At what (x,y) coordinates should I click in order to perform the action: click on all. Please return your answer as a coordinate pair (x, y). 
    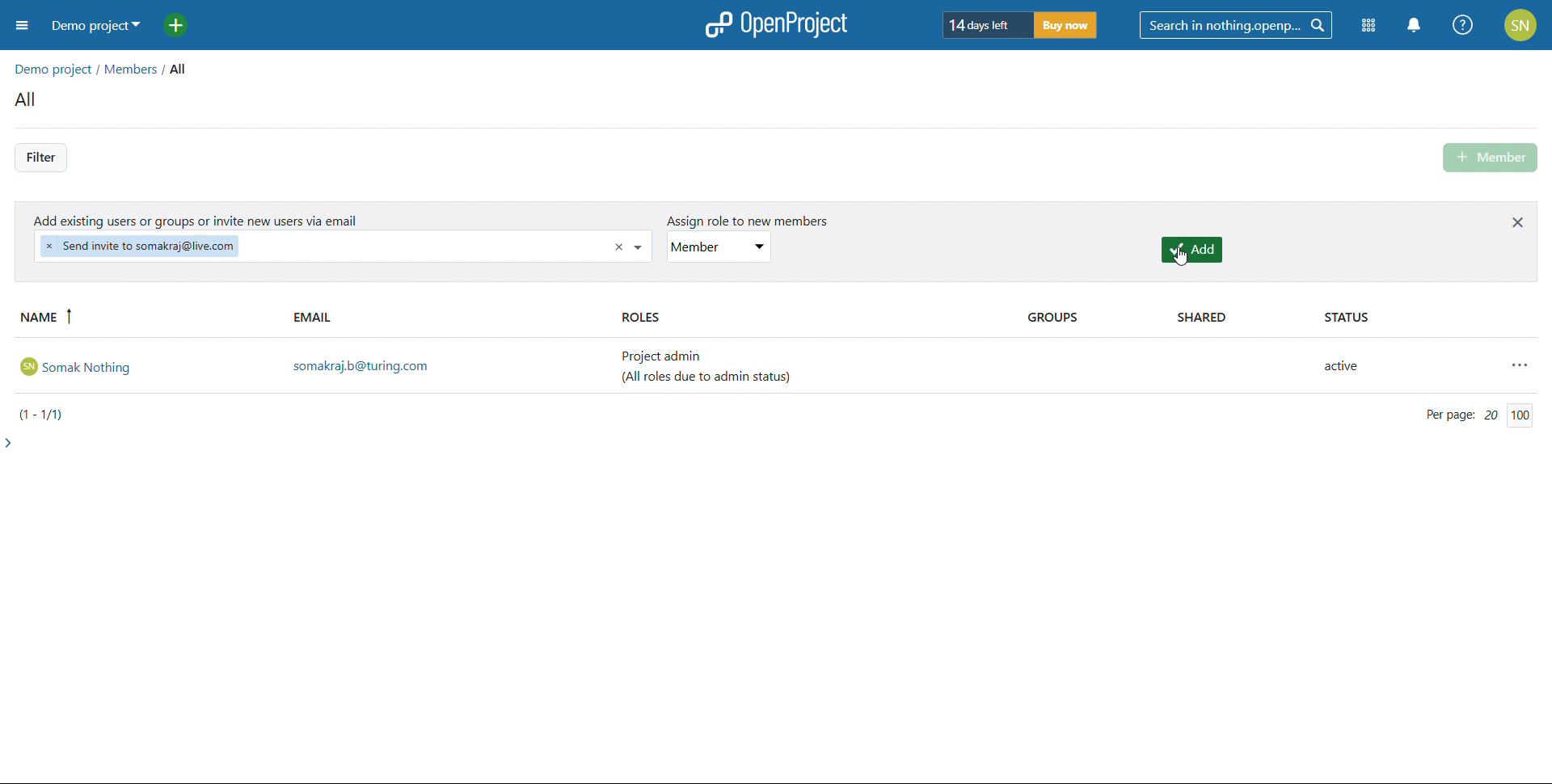
    Looking at the image, I should click on (29, 101).